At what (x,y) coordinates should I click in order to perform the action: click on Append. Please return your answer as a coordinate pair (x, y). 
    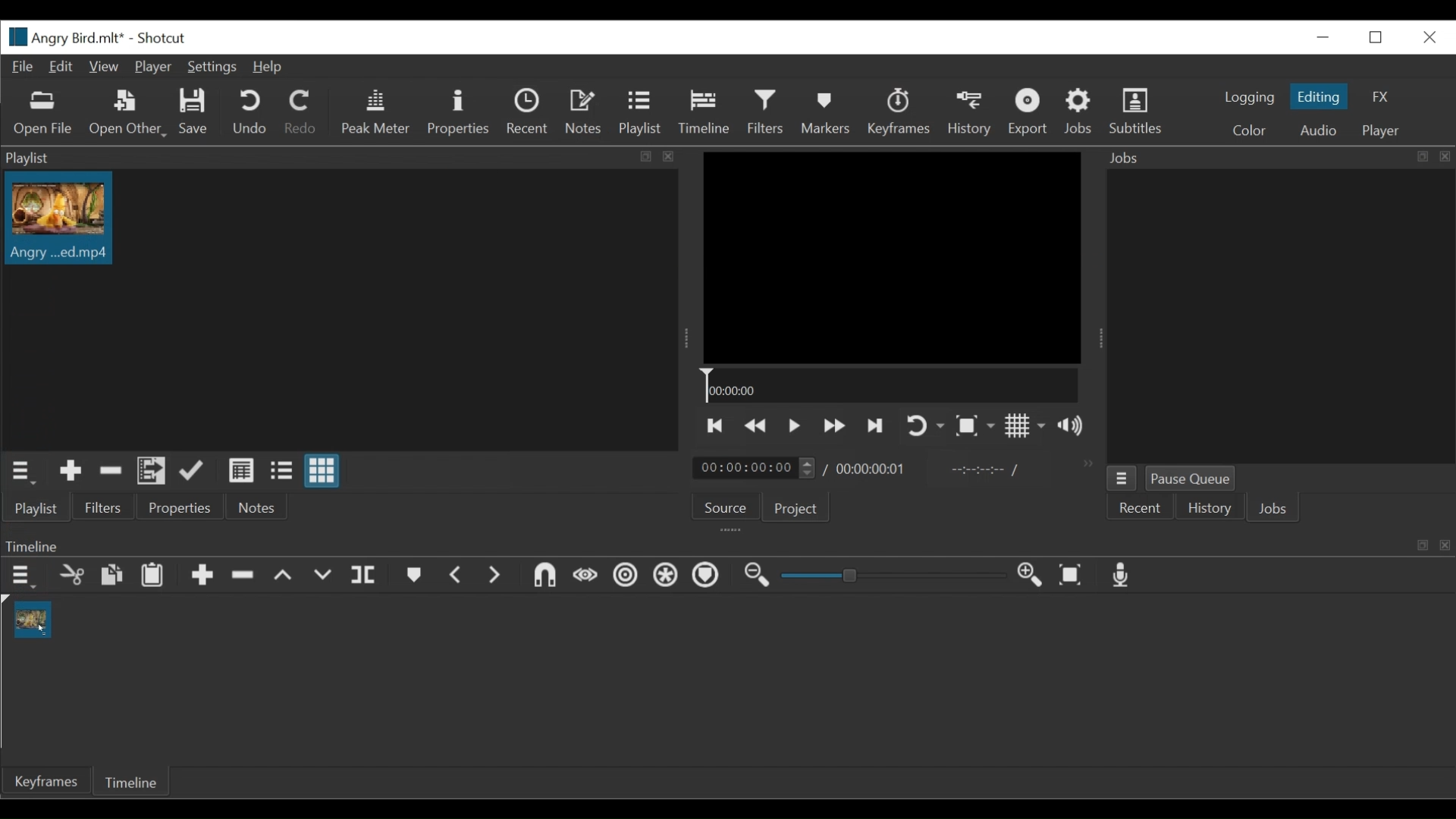
    Looking at the image, I should click on (204, 575).